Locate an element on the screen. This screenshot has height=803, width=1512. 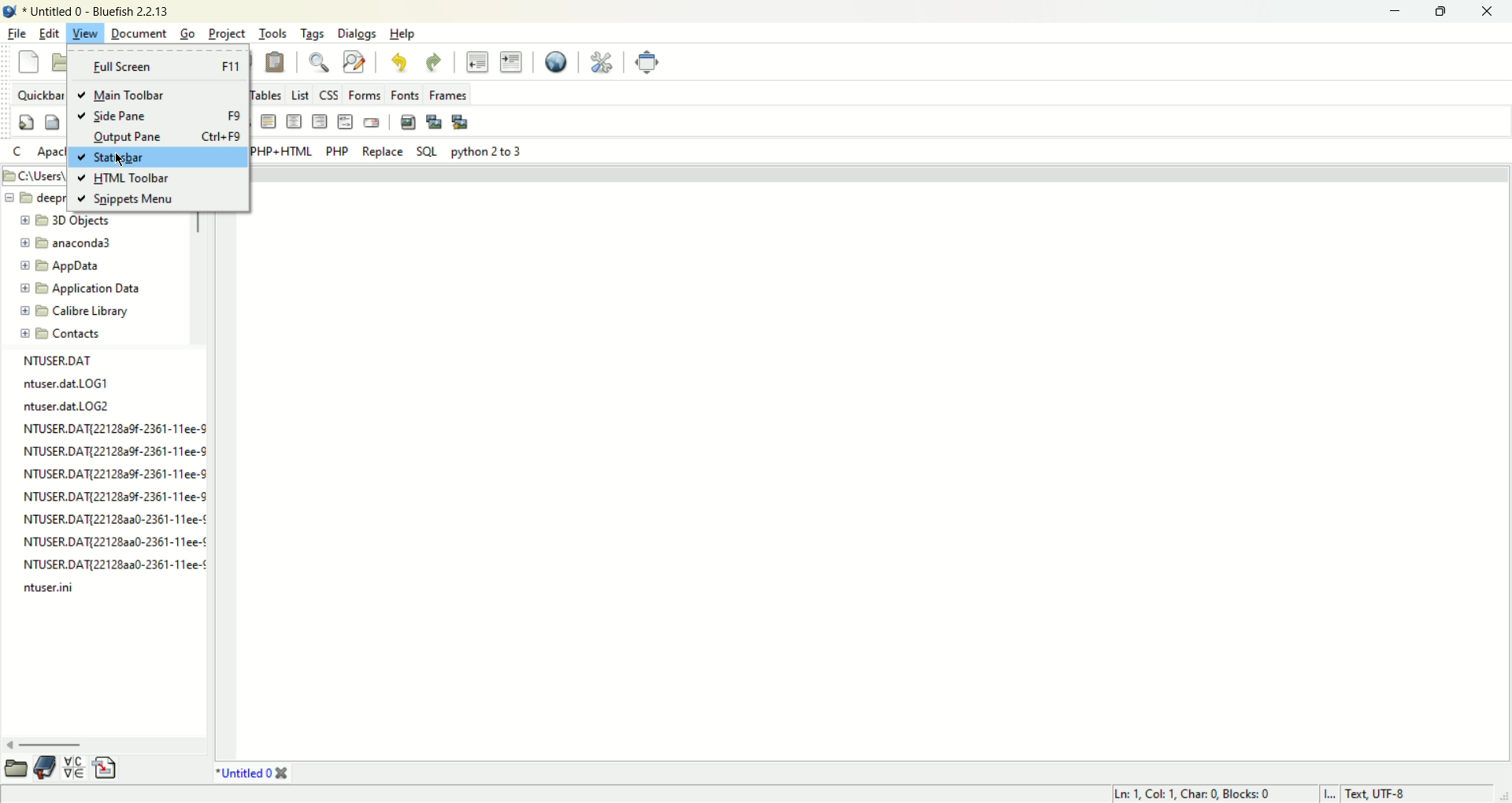
NTUSER DAT(22128a9f-2361-11ee-§ is located at coordinates (113, 430).